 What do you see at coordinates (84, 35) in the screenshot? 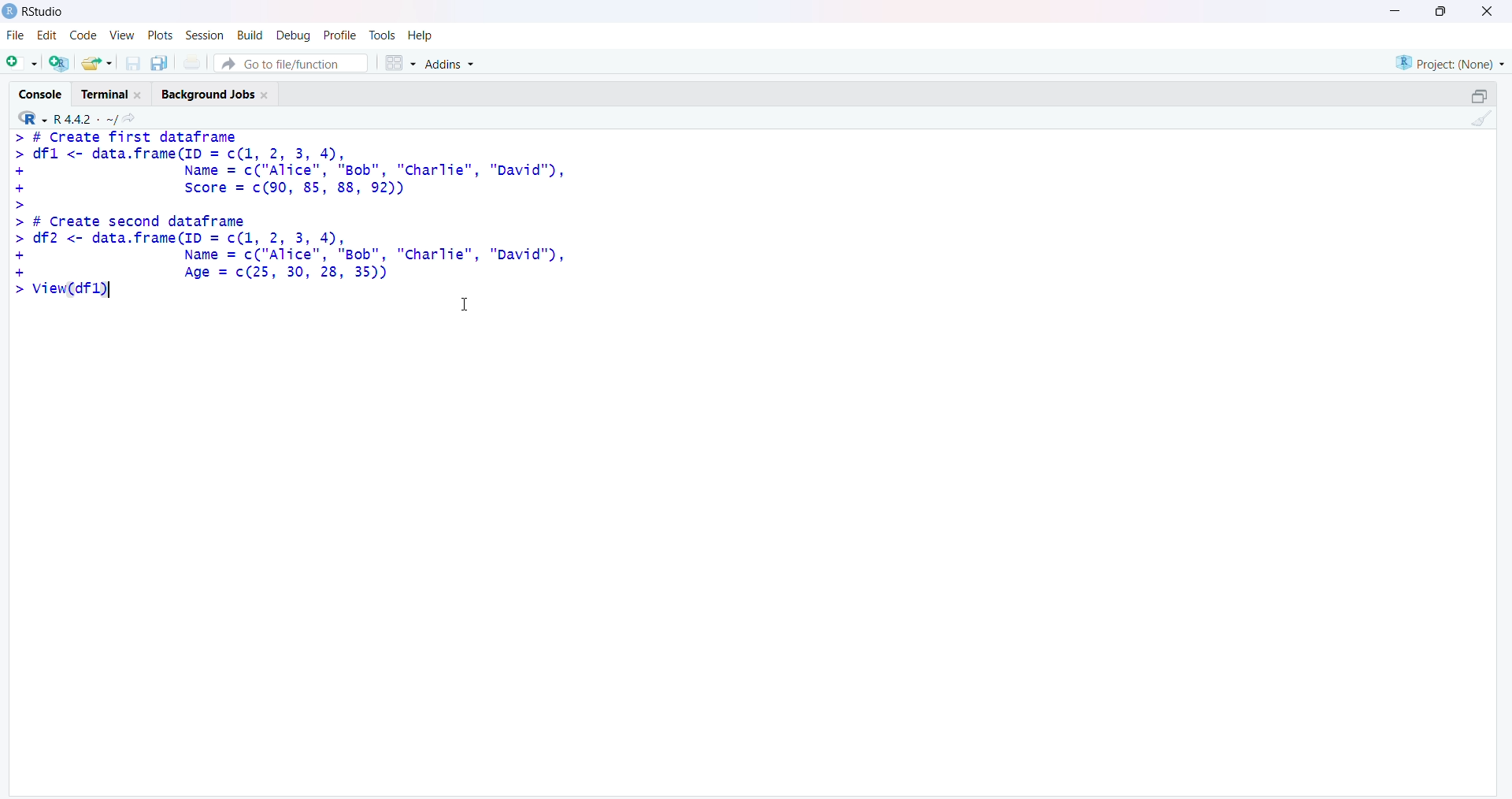
I see `code` at bounding box center [84, 35].